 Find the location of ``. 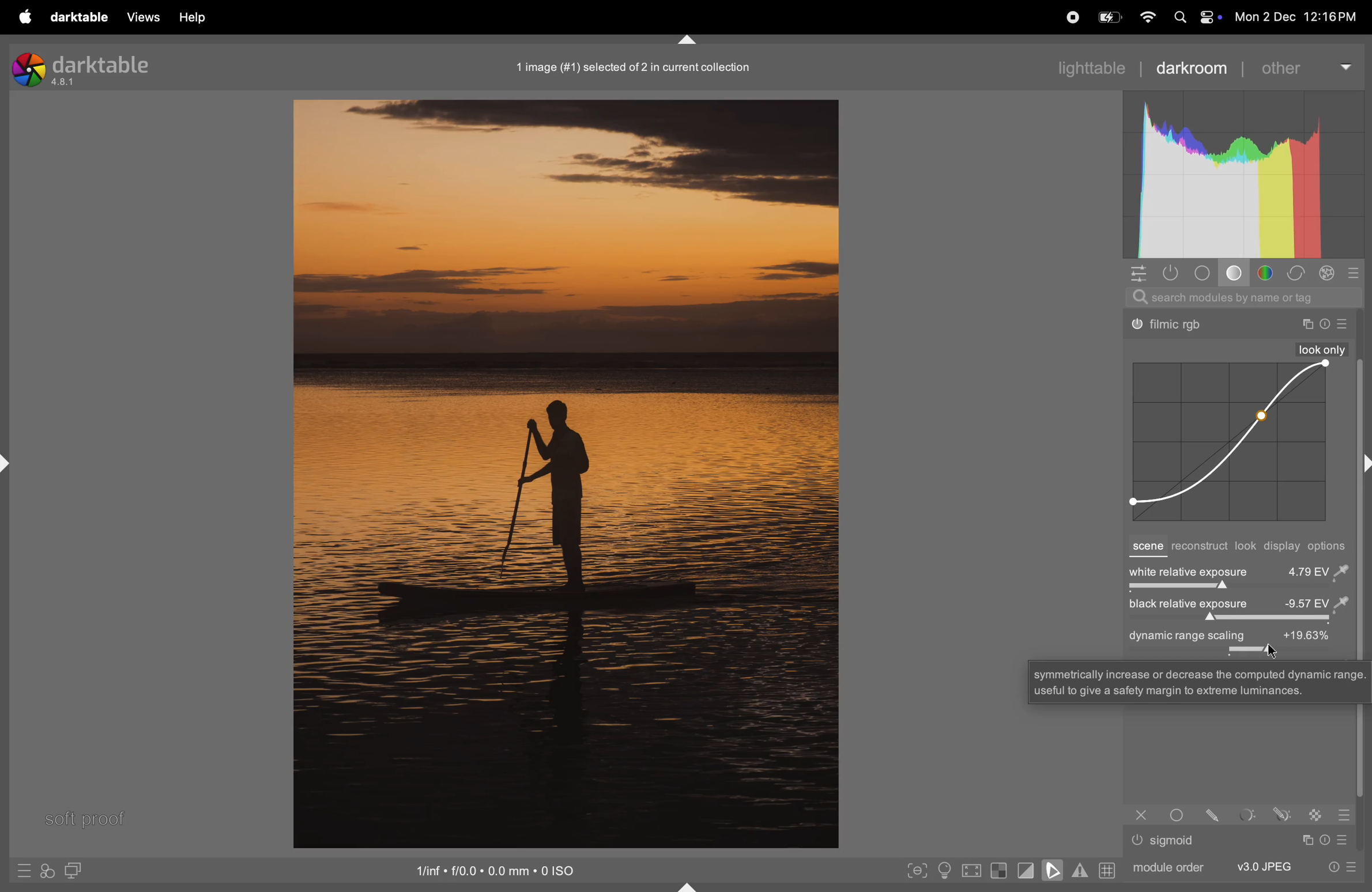

 is located at coordinates (1171, 326).